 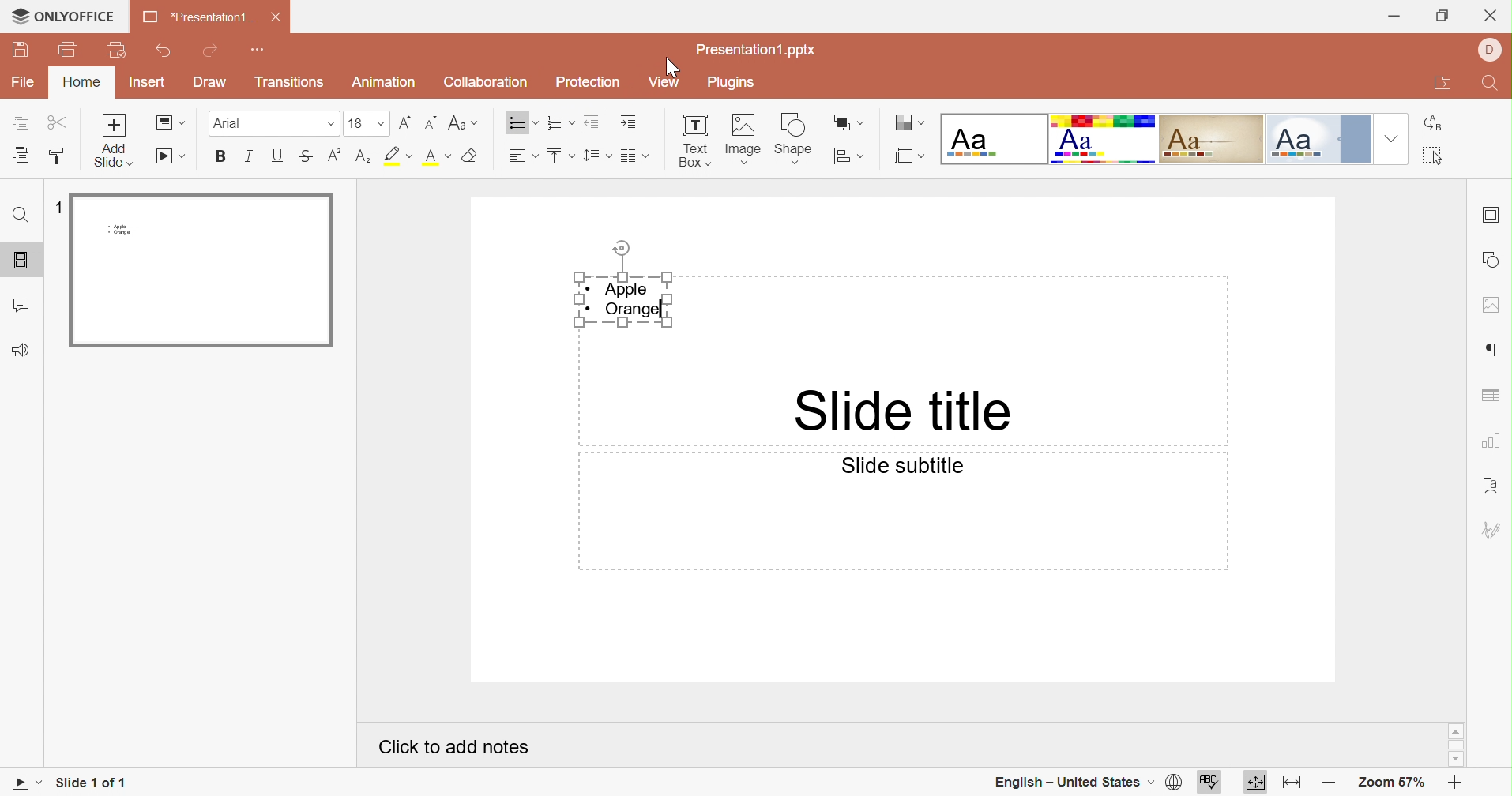 I want to click on Start slideshow, so click(x=171, y=157).